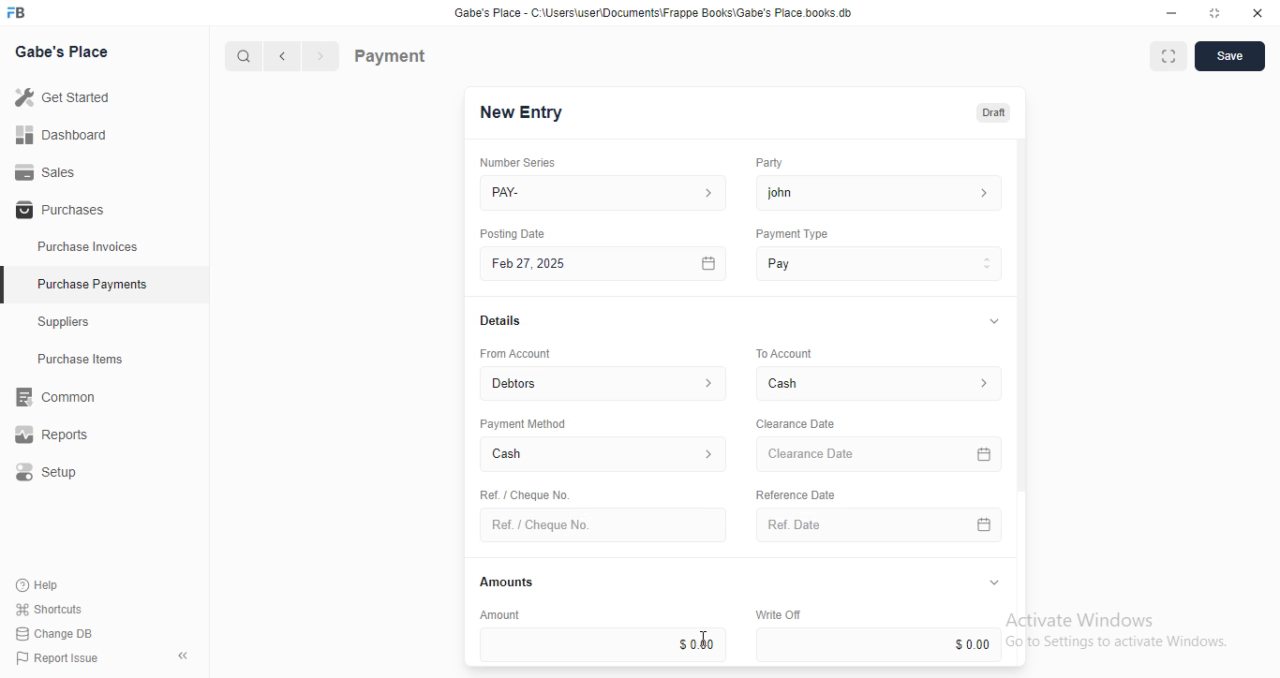 The width and height of the screenshot is (1280, 678). Describe the element at coordinates (879, 525) in the screenshot. I see `Ref. Date` at that location.